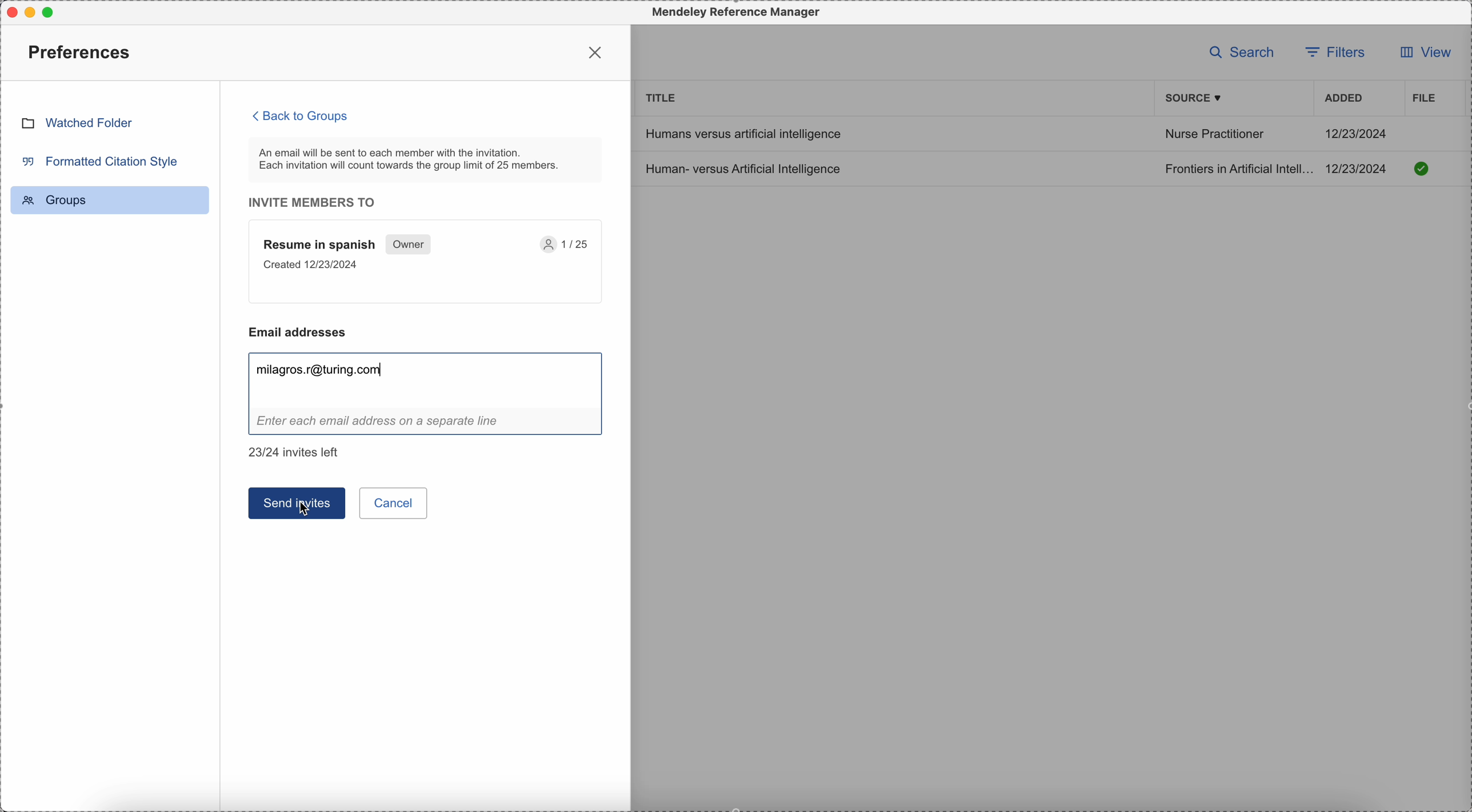  Describe the element at coordinates (1338, 51) in the screenshot. I see `filters` at that location.